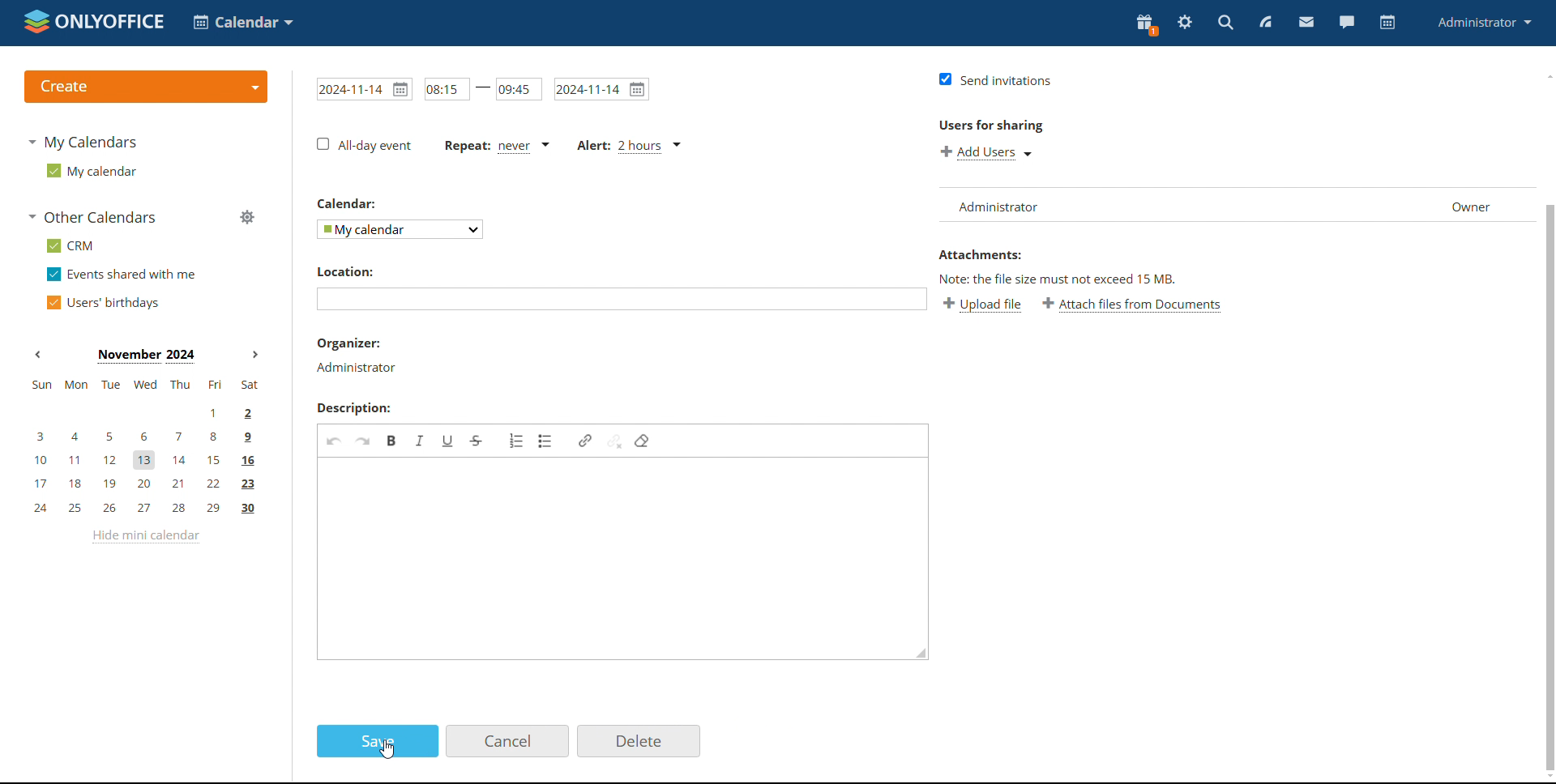  Describe the element at coordinates (396, 228) in the screenshot. I see `select calendar` at that location.